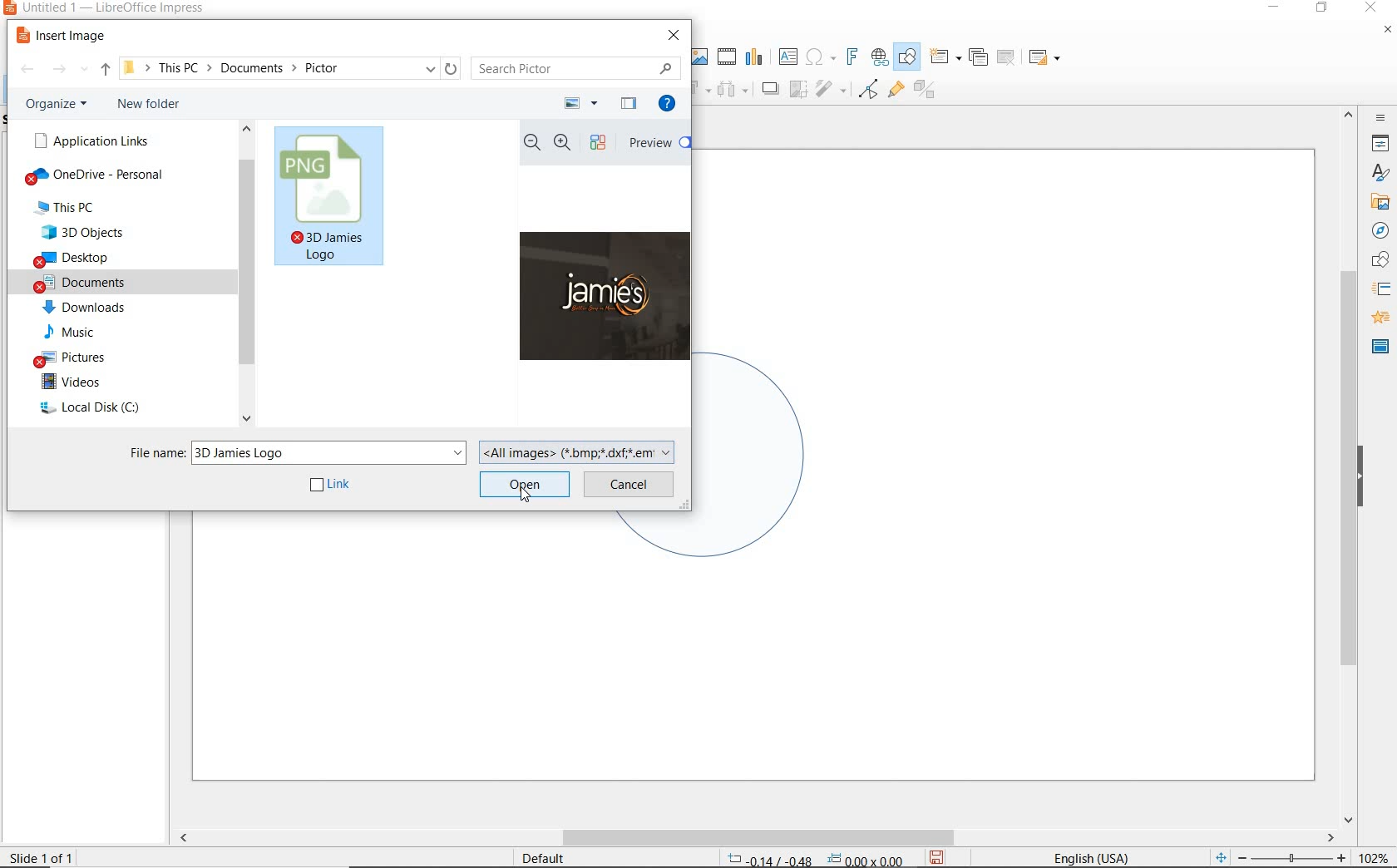  What do you see at coordinates (880, 57) in the screenshot?
I see `insert hyperlink` at bounding box center [880, 57].